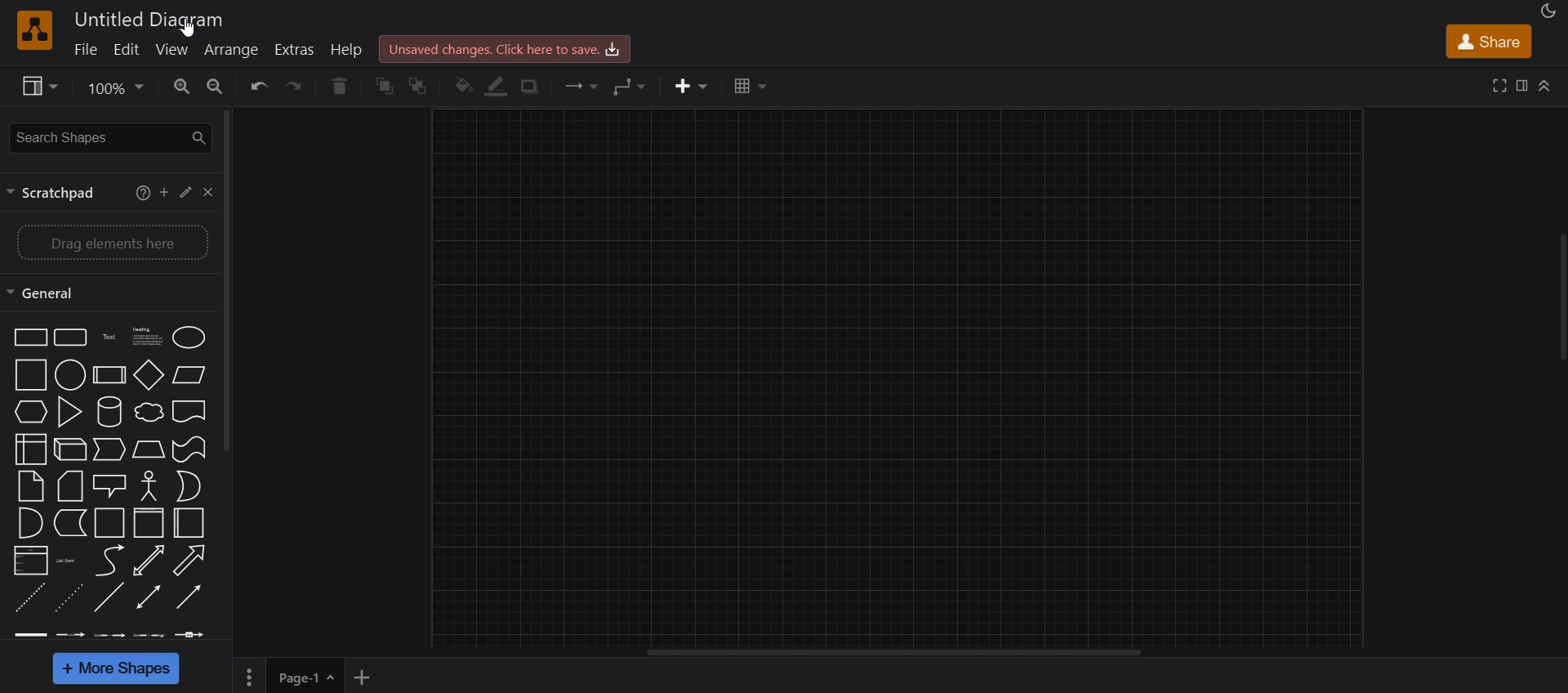 The height and width of the screenshot is (693, 1568). What do you see at coordinates (346, 51) in the screenshot?
I see `help` at bounding box center [346, 51].